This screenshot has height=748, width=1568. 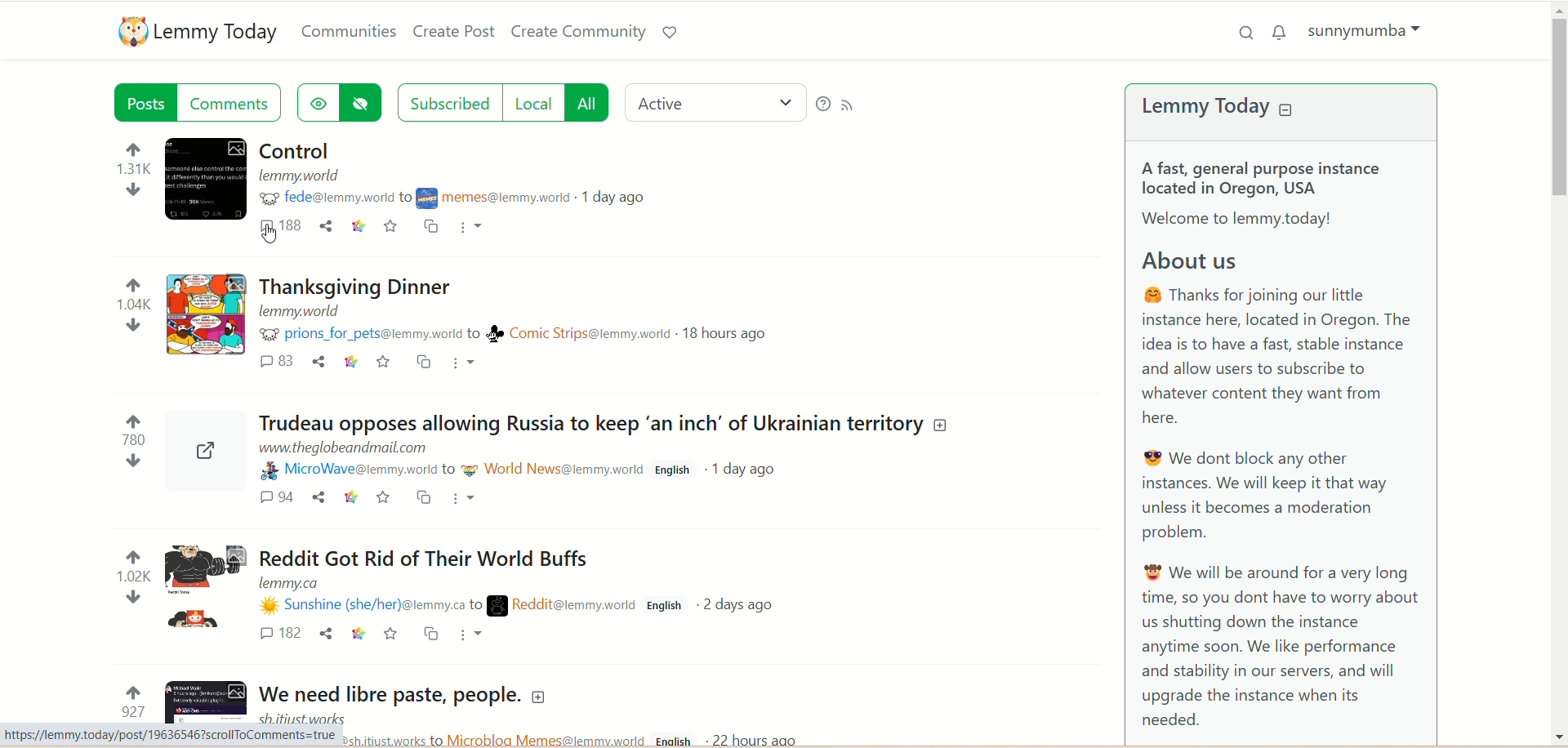 I want to click on Post on "Reddit Got Rid of Their World Buffs", so click(x=424, y=560).